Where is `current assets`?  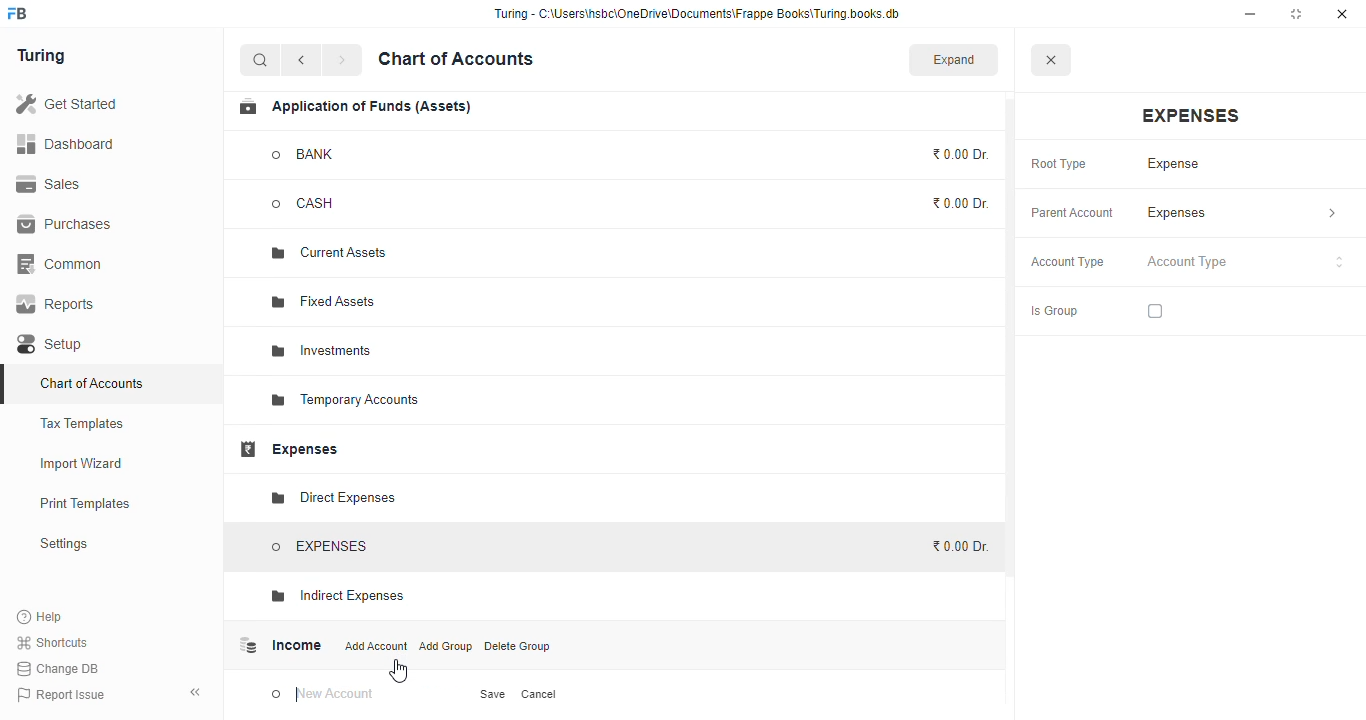
current assets is located at coordinates (329, 254).